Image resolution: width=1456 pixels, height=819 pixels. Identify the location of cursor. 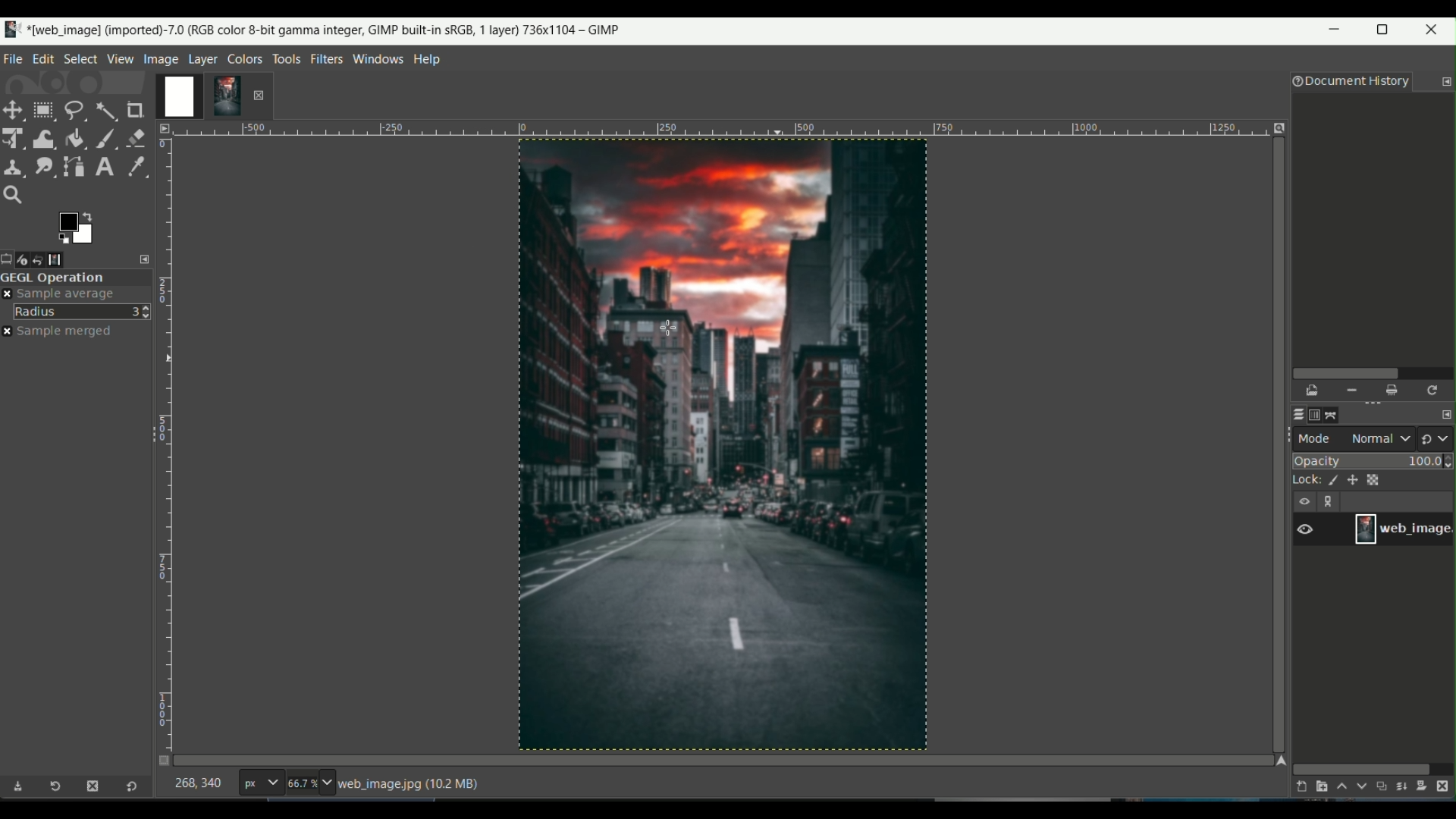
(668, 330).